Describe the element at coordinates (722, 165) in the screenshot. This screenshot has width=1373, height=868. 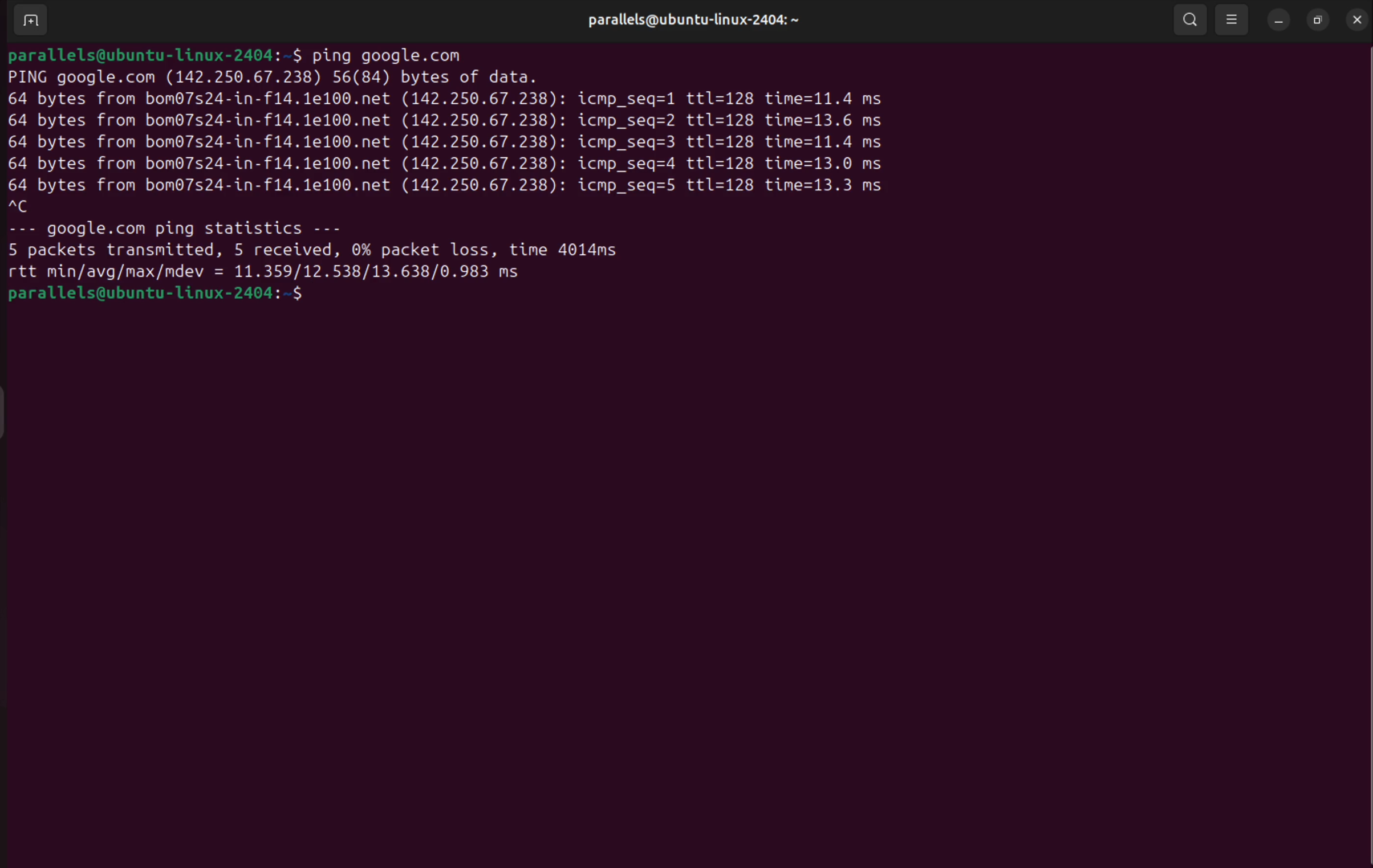
I see `ttl 128` at that location.